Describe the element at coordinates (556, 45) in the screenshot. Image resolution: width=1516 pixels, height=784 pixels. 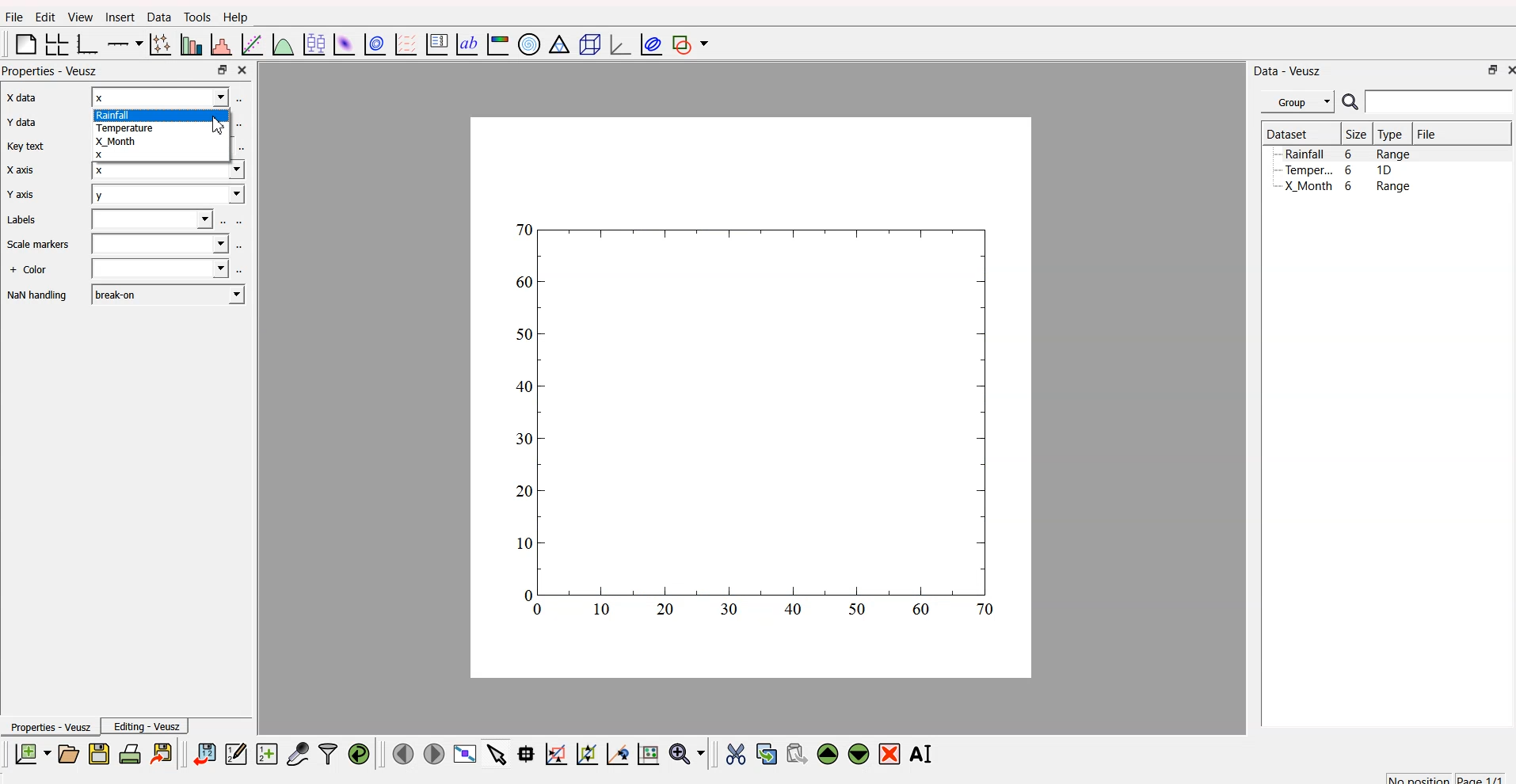
I see `Ternary graph` at that location.